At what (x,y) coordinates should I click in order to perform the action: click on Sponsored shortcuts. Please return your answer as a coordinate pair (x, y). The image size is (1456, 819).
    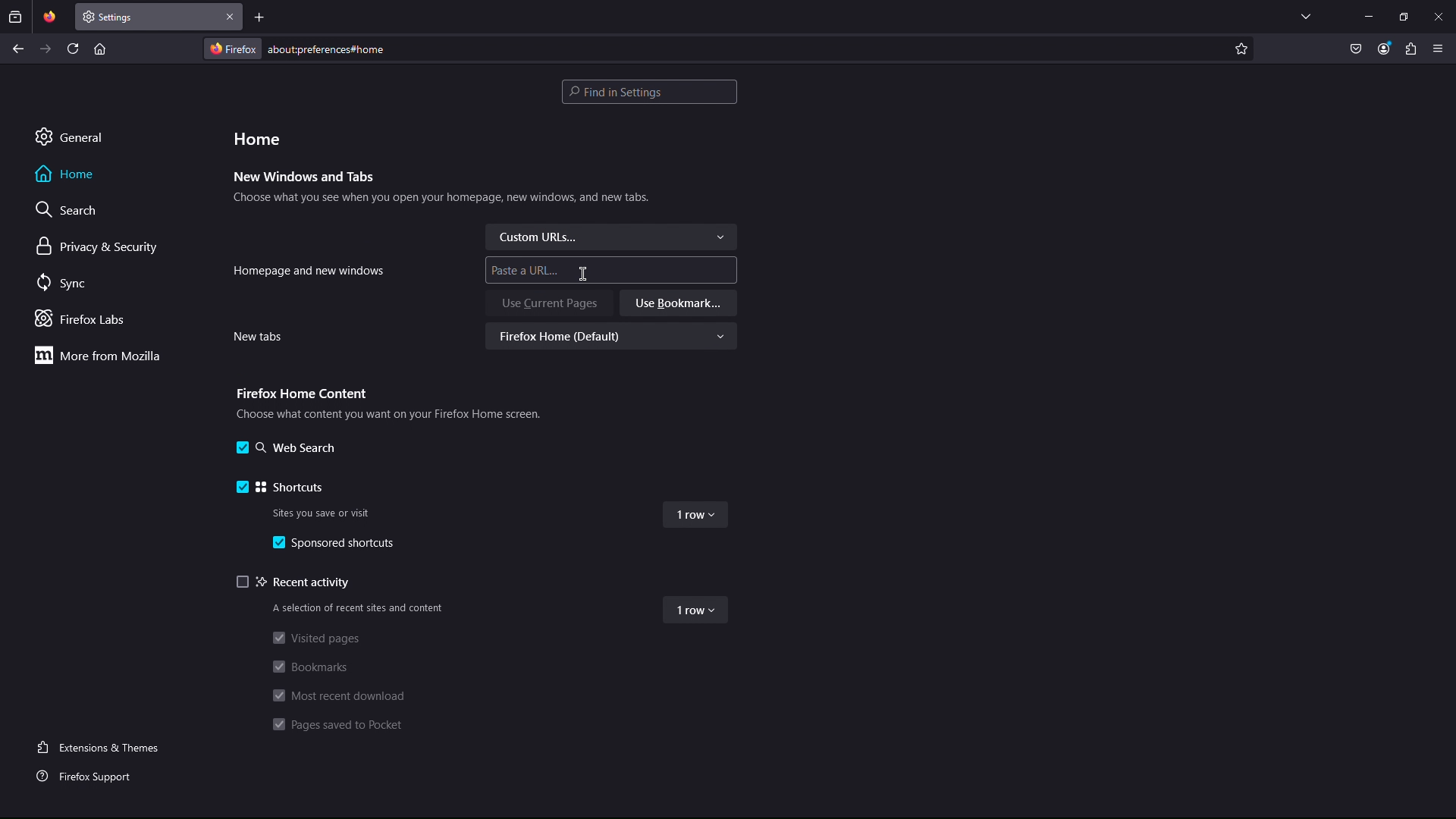
    Looking at the image, I should click on (338, 544).